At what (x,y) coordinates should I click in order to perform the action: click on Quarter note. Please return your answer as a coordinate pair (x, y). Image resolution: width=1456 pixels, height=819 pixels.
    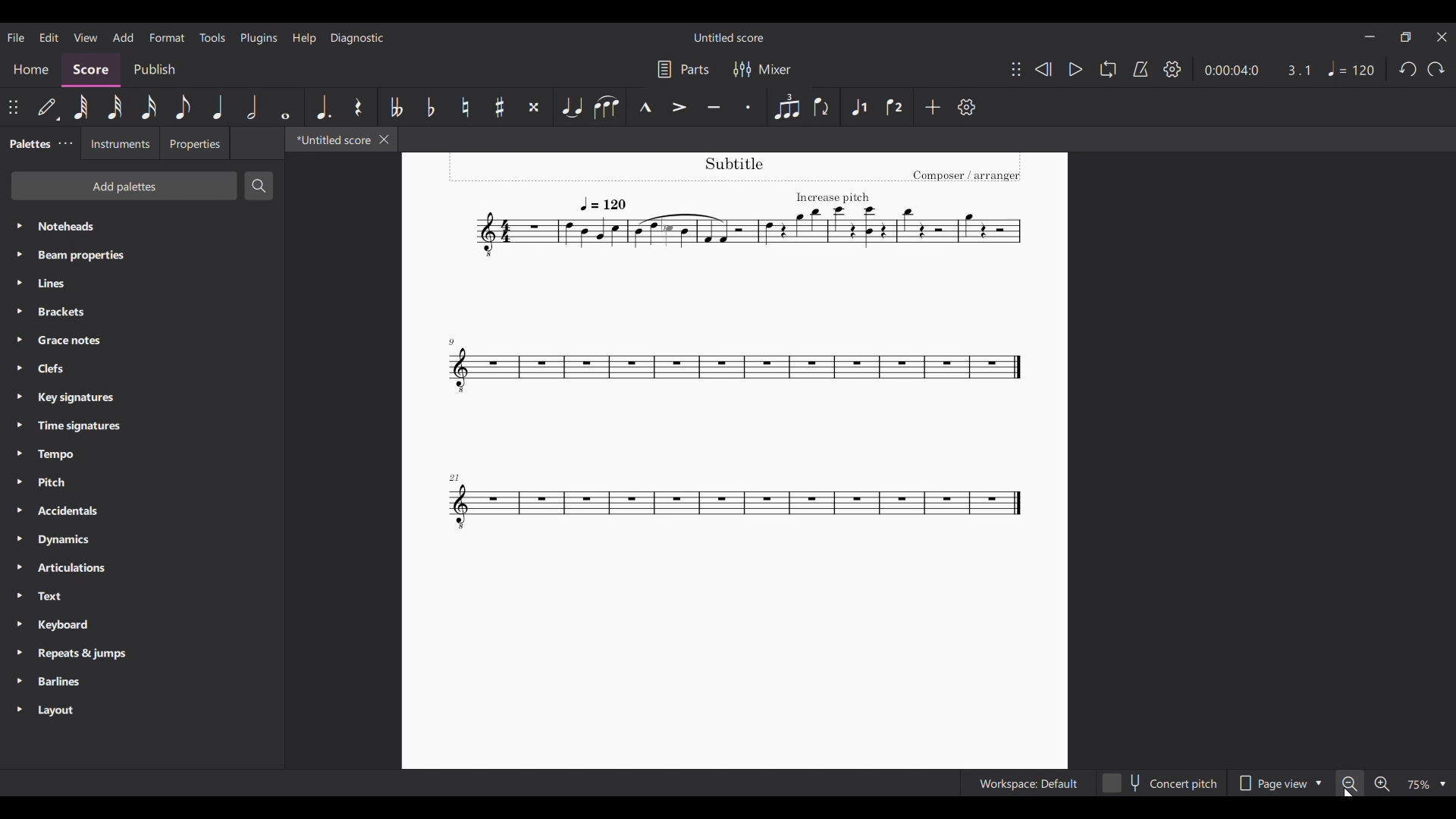
    Looking at the image, I should click on (219, 107).